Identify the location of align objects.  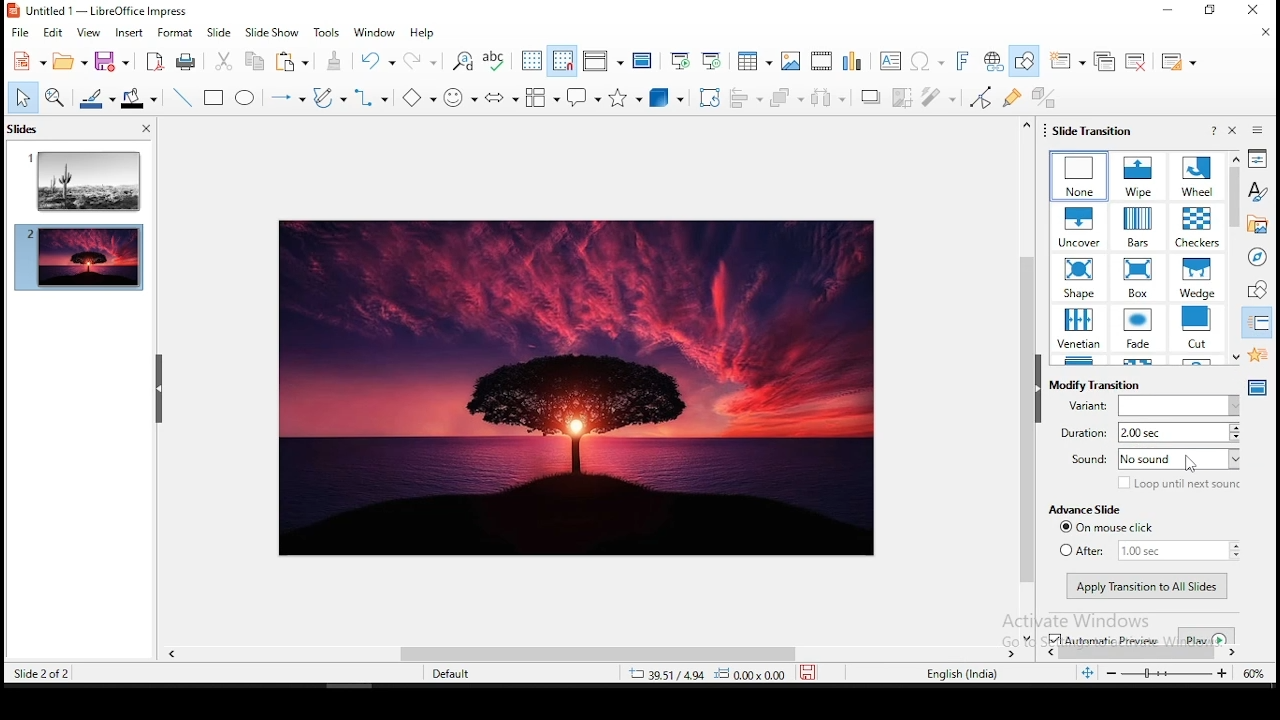
(749, 99).